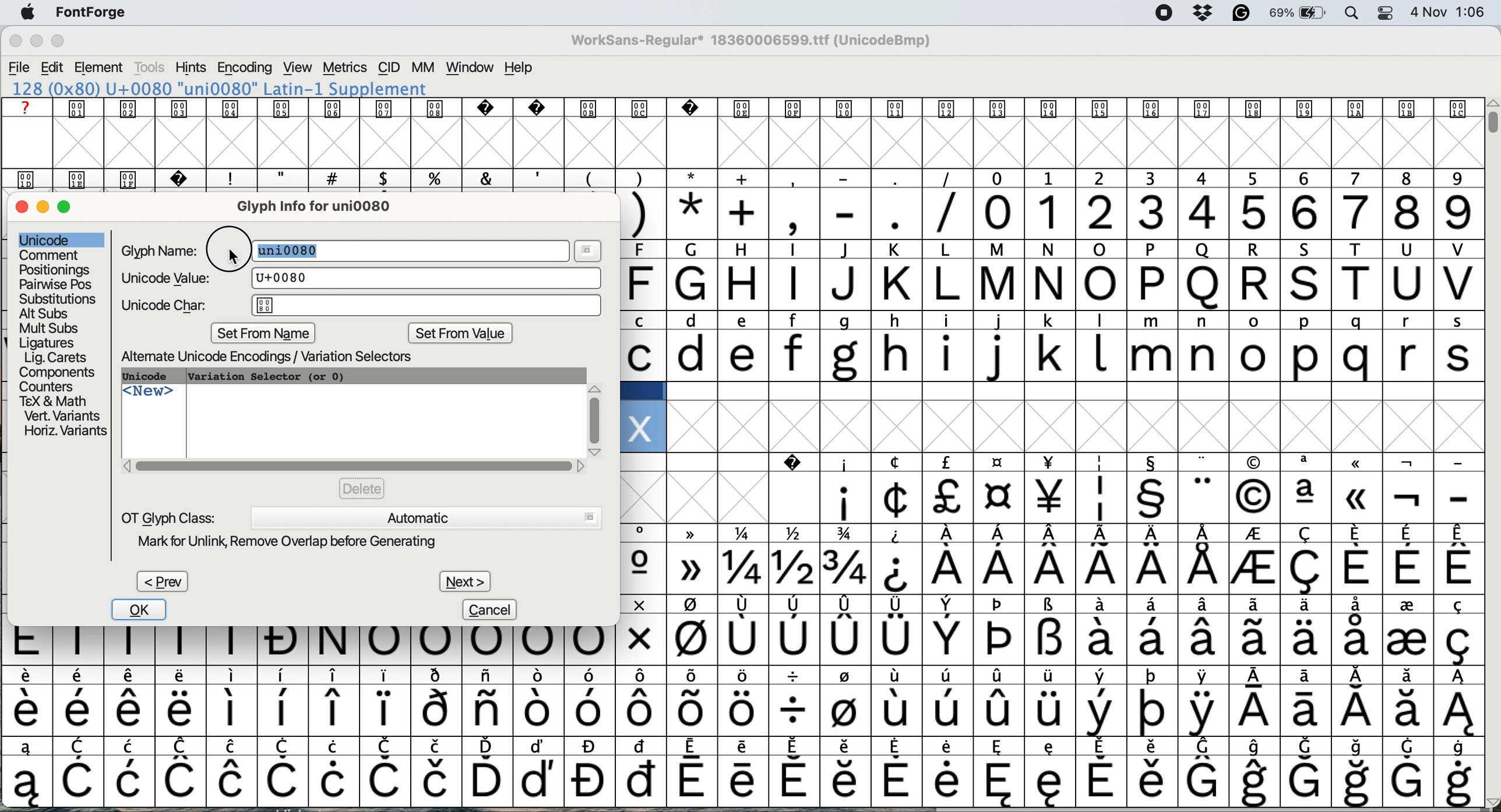 Image resolution: width=1501 pixels, height=812 pixels. I want to click on counters, so click(50, 385).